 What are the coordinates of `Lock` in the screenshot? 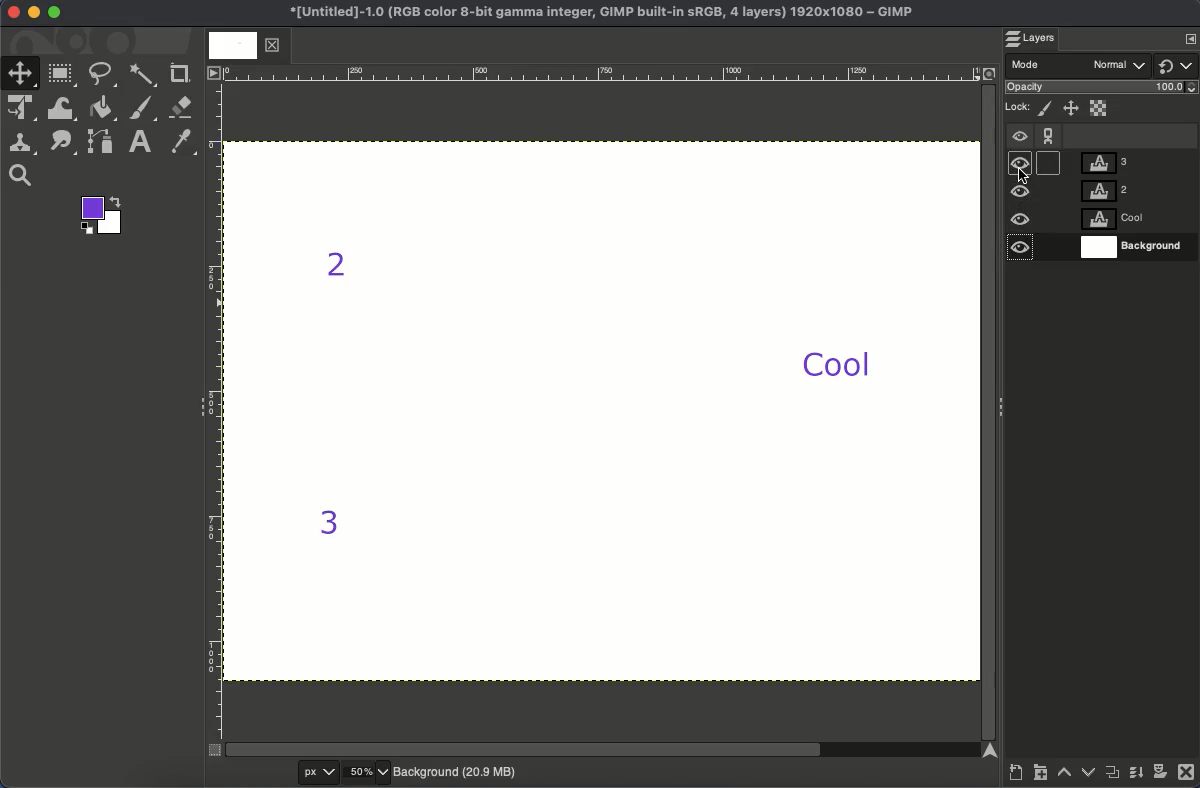 It's located at (1019, 105).